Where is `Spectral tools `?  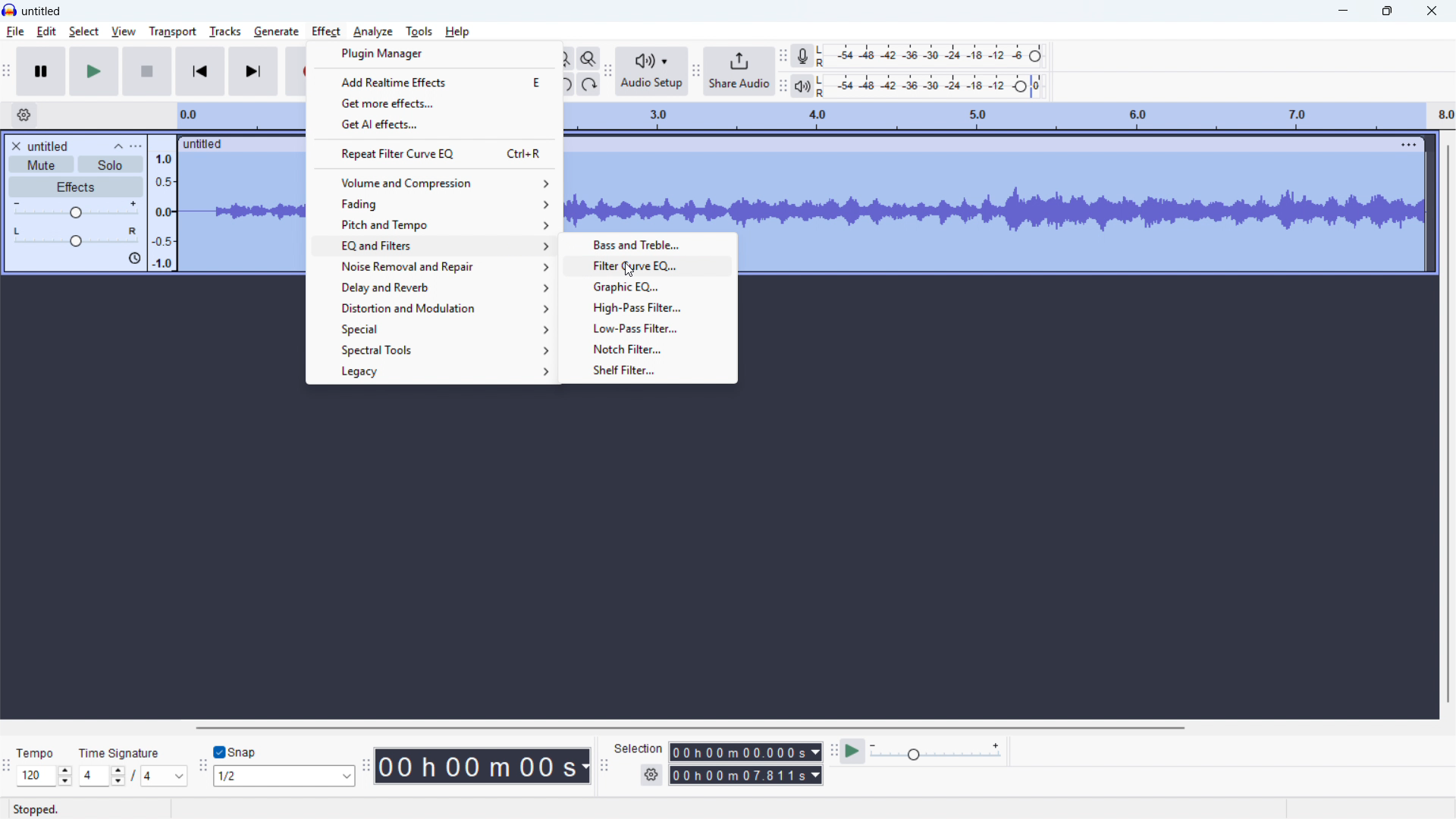
Spectral tools  is located at coordinates (431, 350).